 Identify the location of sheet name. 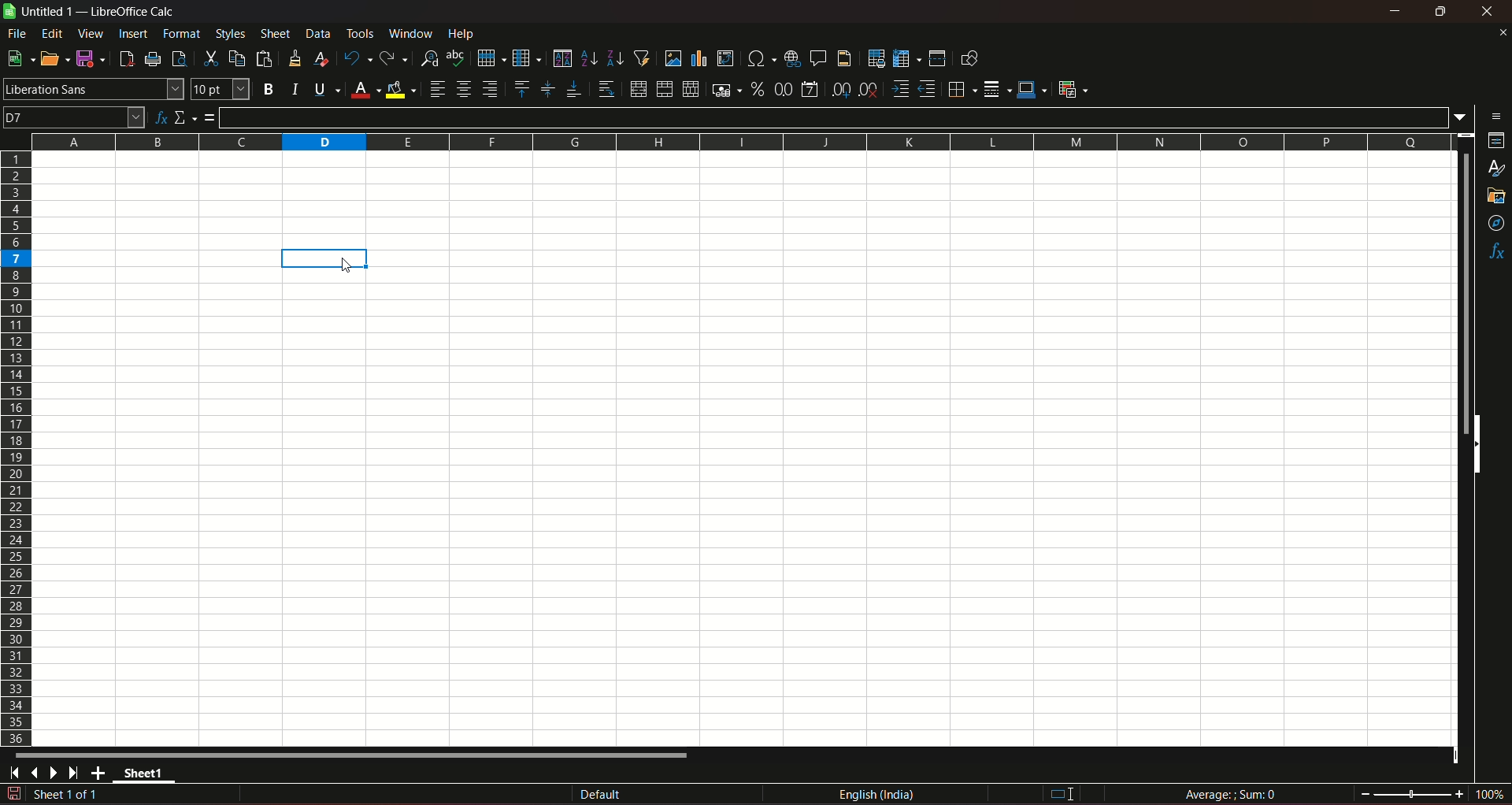
(40, 12).